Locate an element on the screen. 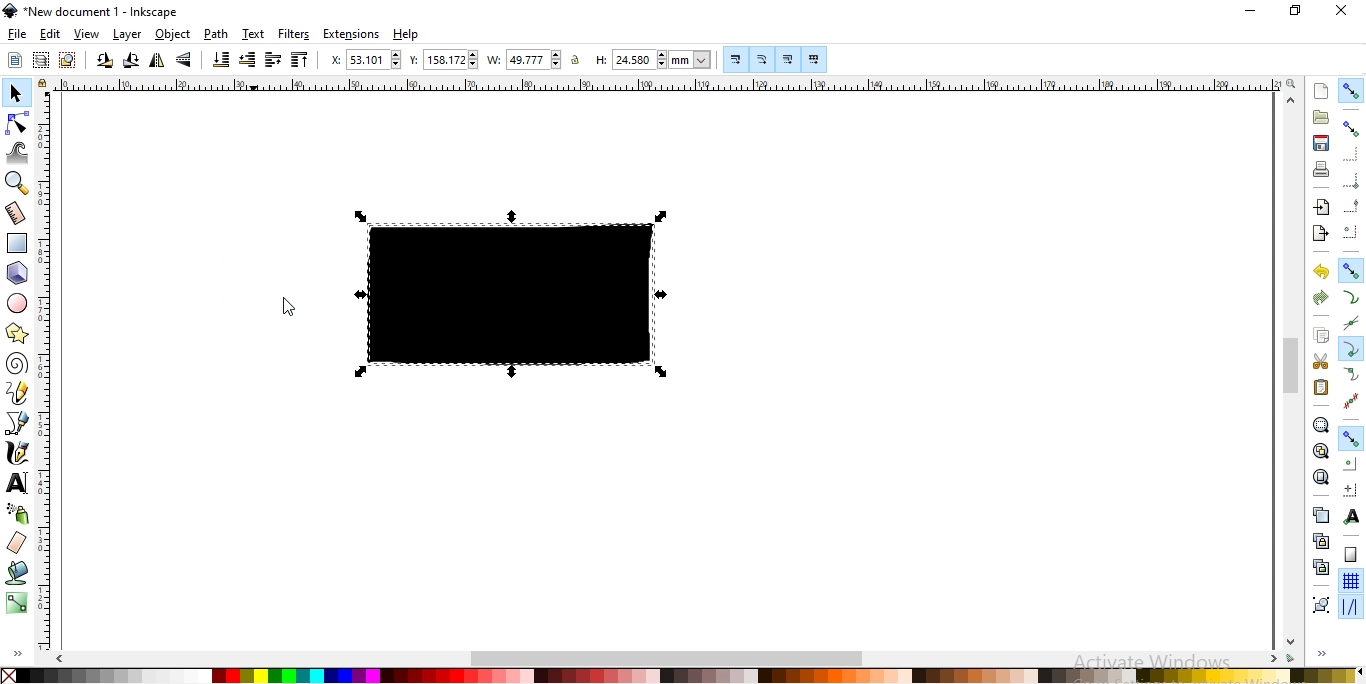  create a clone is located at coordinates (1319, 541).